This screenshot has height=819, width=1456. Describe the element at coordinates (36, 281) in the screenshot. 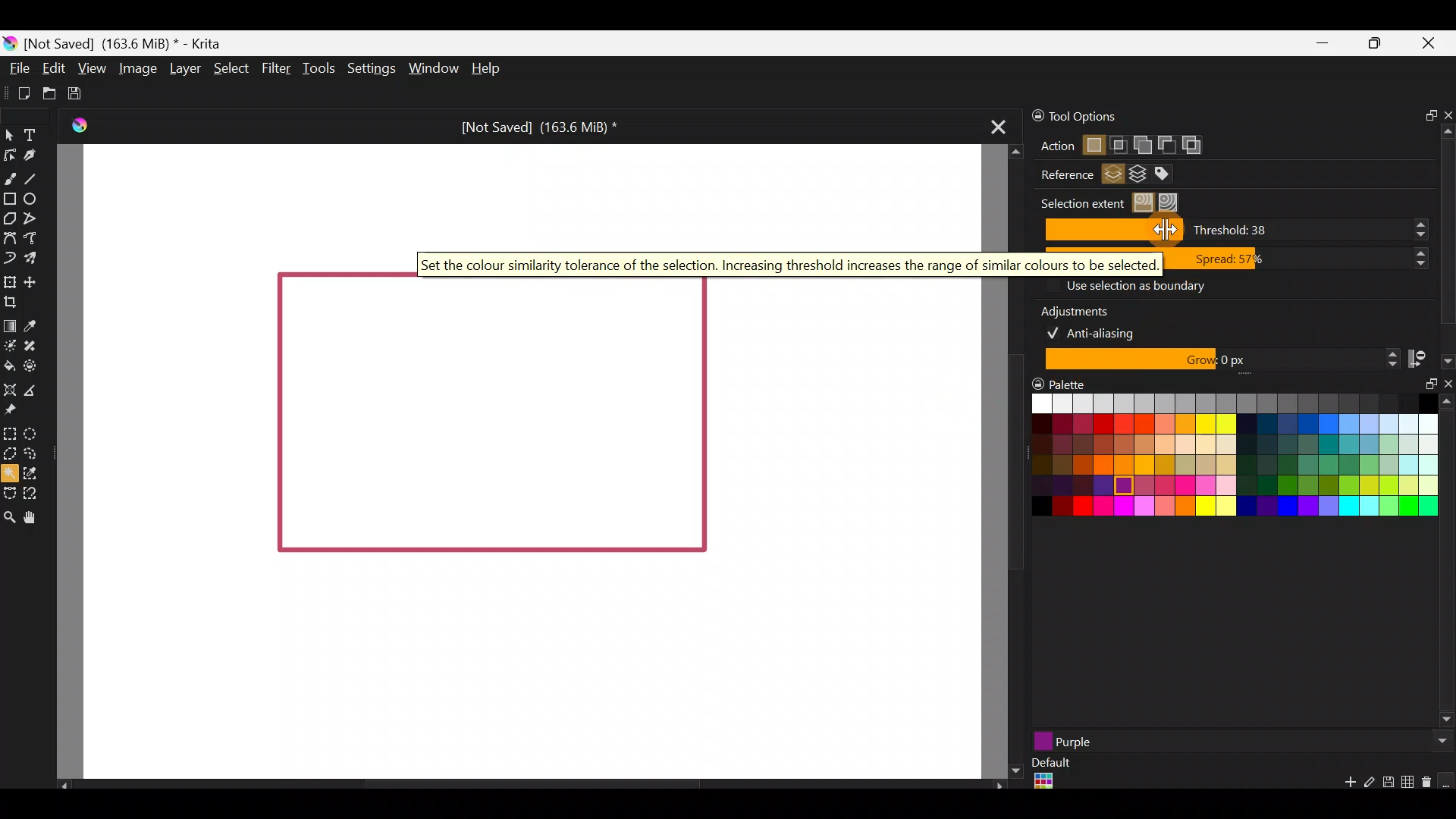

I see `Move a layer` at that location.